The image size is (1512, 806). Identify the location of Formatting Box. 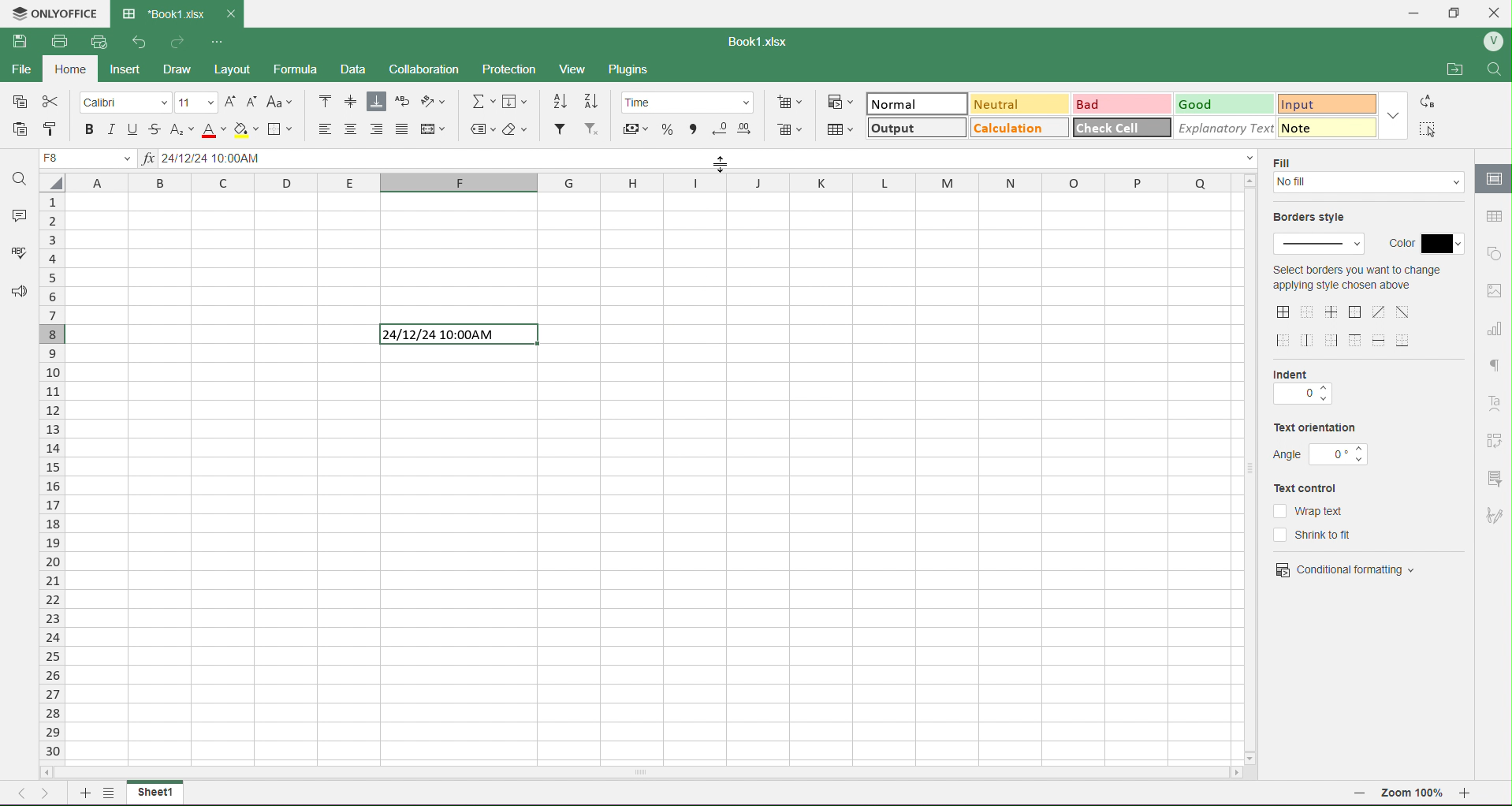
(1396, 114).